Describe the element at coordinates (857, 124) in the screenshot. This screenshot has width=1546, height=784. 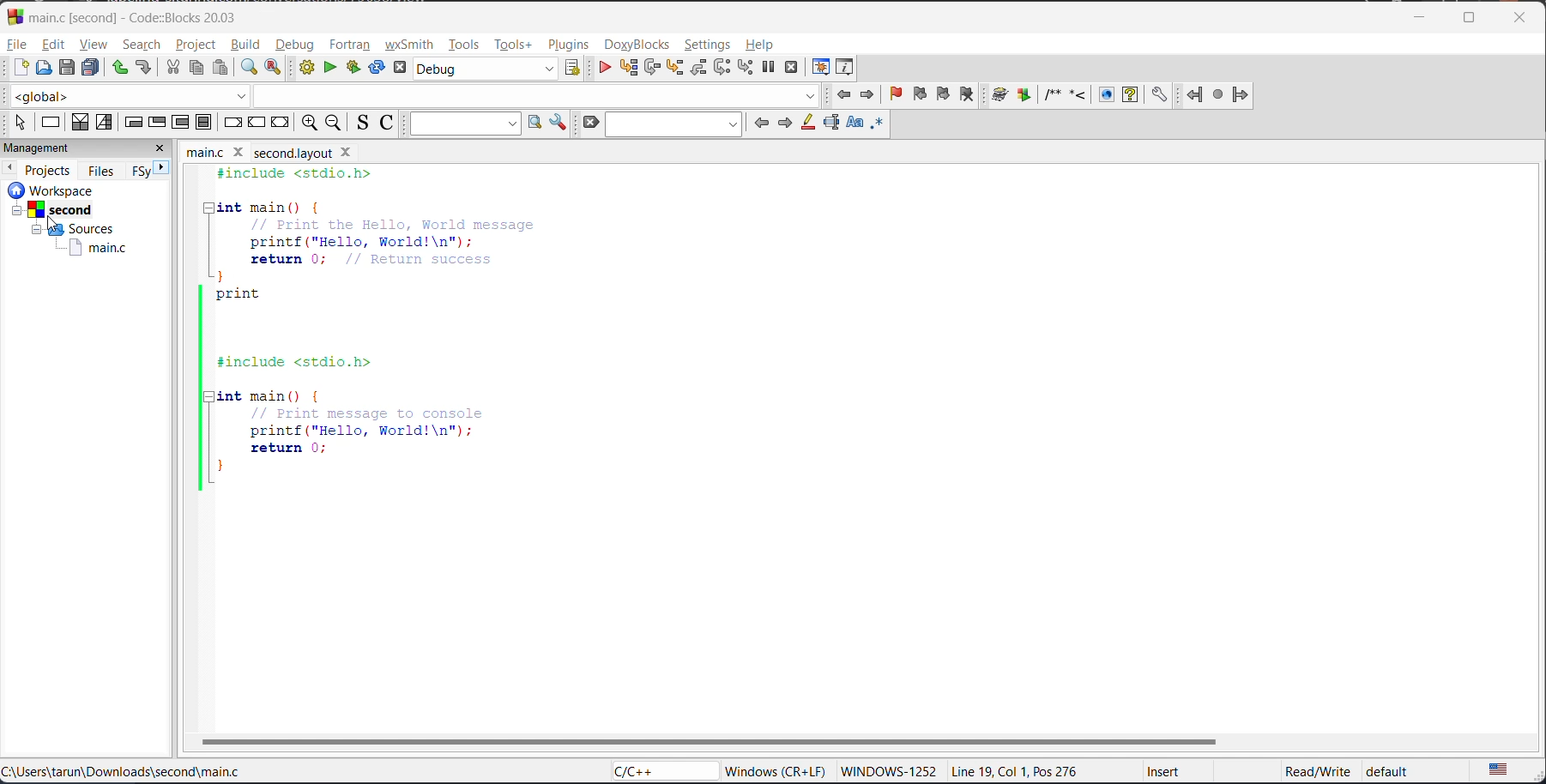
I see `match case` at that location.